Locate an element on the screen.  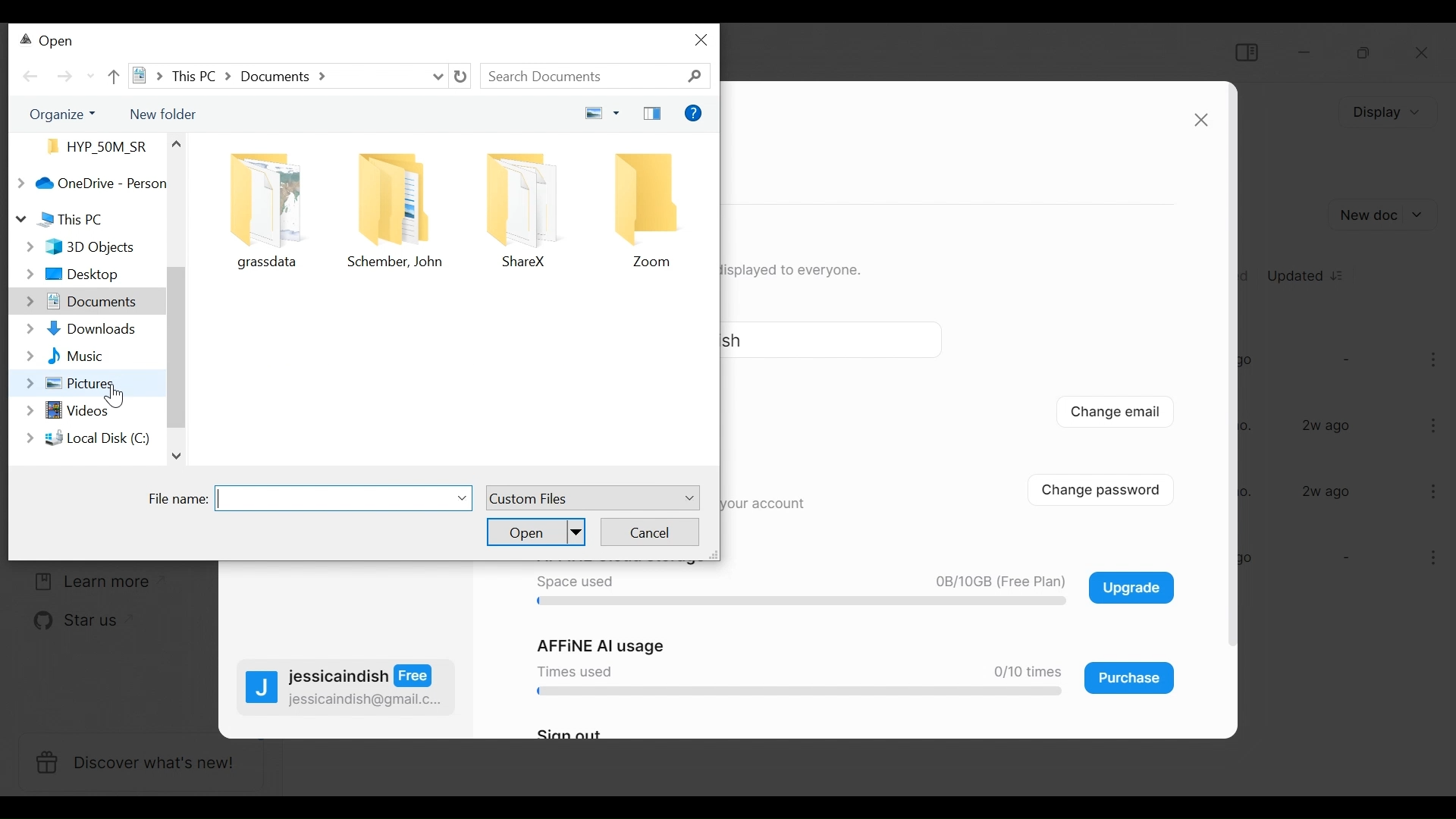
 is located at coordinates (174, 143).